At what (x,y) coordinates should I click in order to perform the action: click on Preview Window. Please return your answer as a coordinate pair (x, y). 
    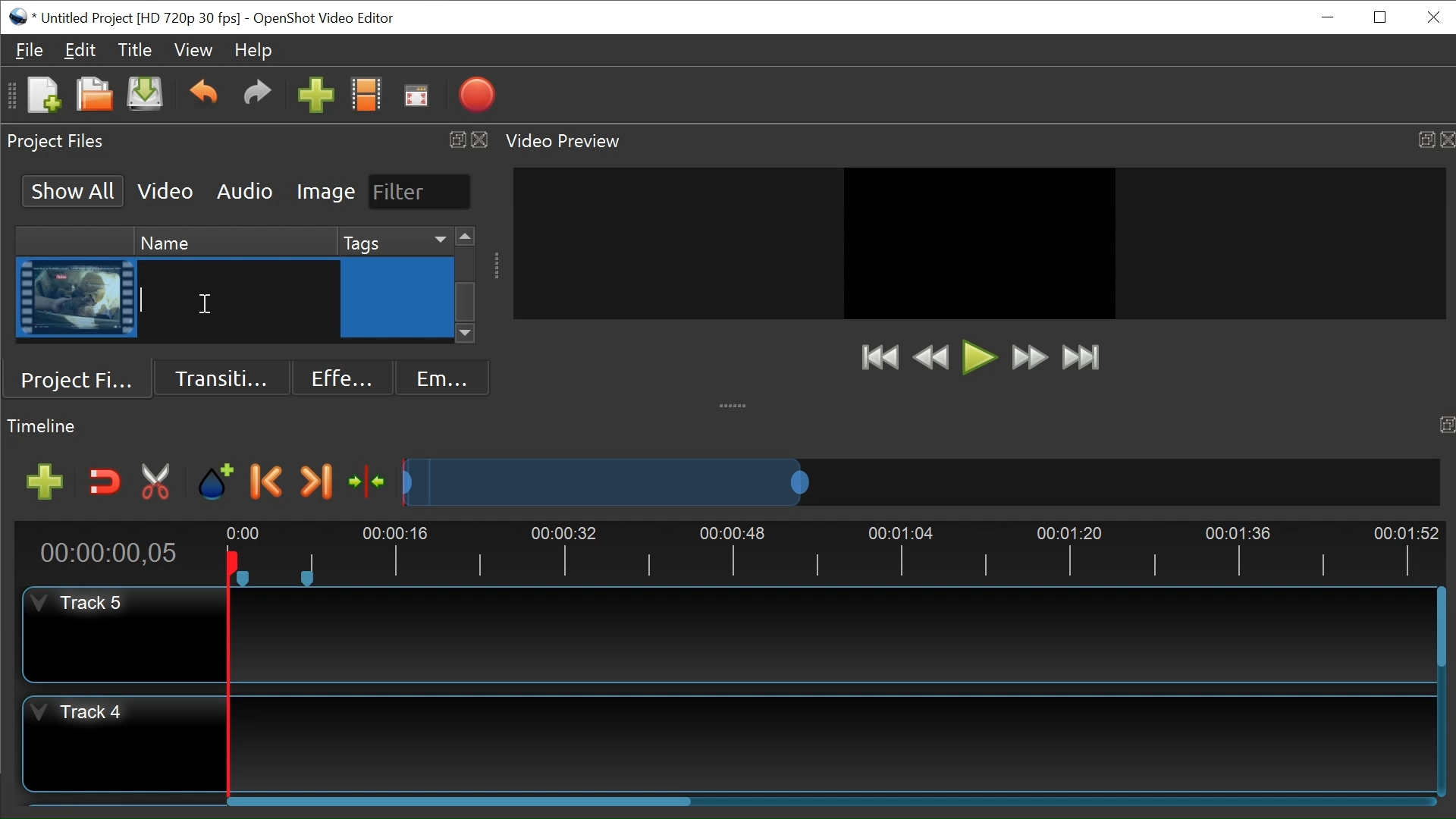
    Looking at the image, I should click on (979, 243).